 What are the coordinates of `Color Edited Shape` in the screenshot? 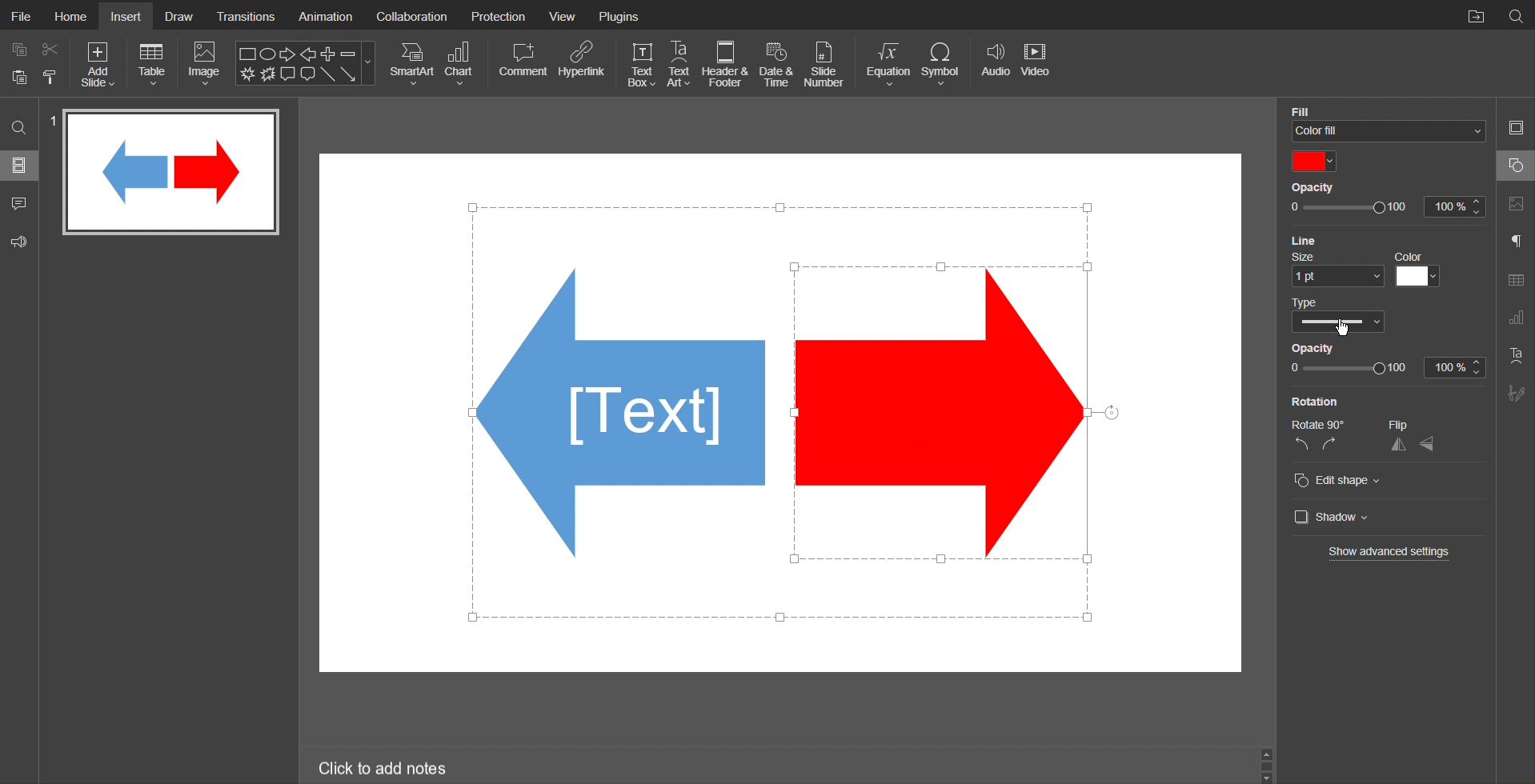 It's located at (952, 411).